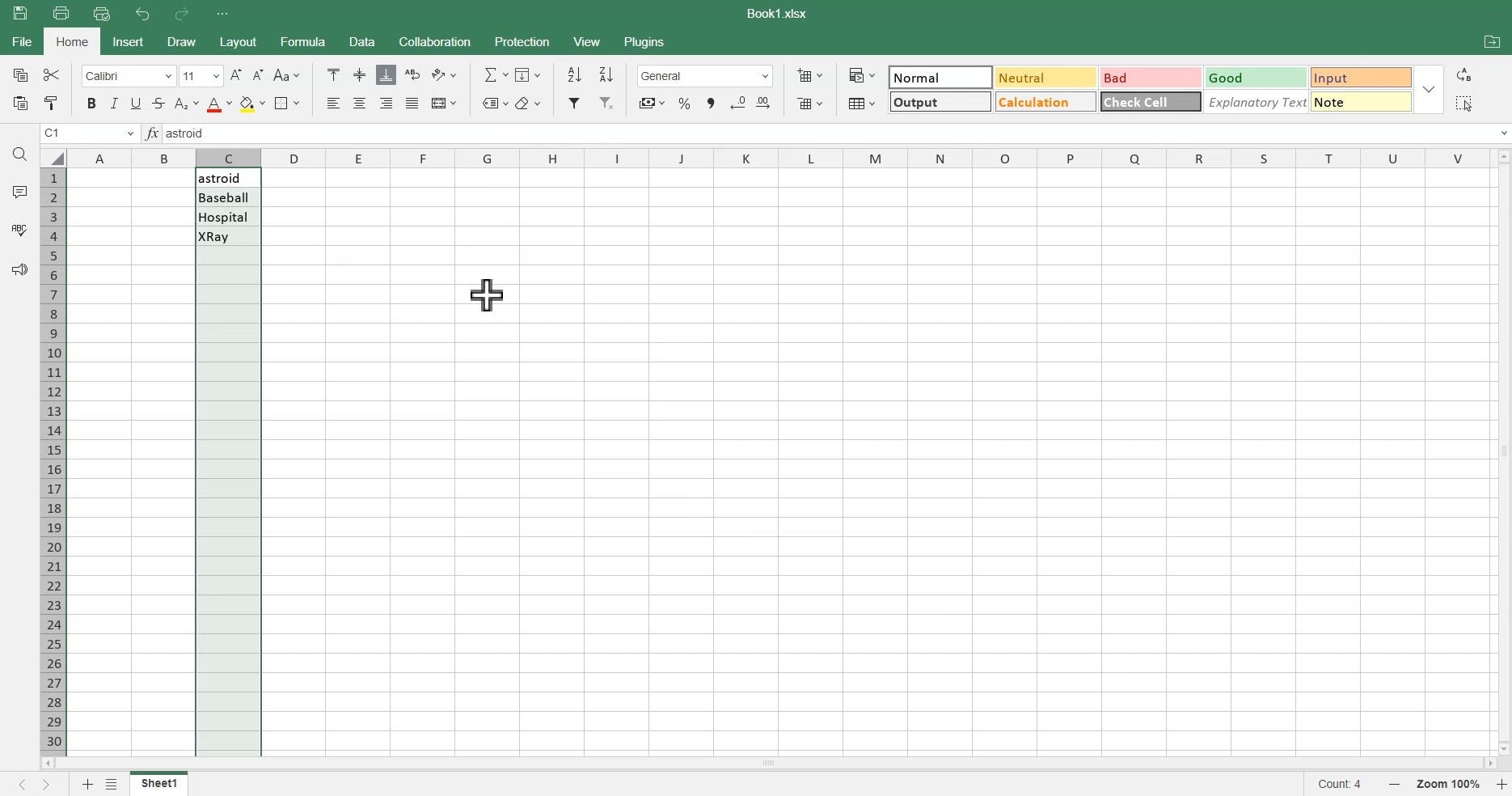  I want to click on Align Center, so click(361, 75).